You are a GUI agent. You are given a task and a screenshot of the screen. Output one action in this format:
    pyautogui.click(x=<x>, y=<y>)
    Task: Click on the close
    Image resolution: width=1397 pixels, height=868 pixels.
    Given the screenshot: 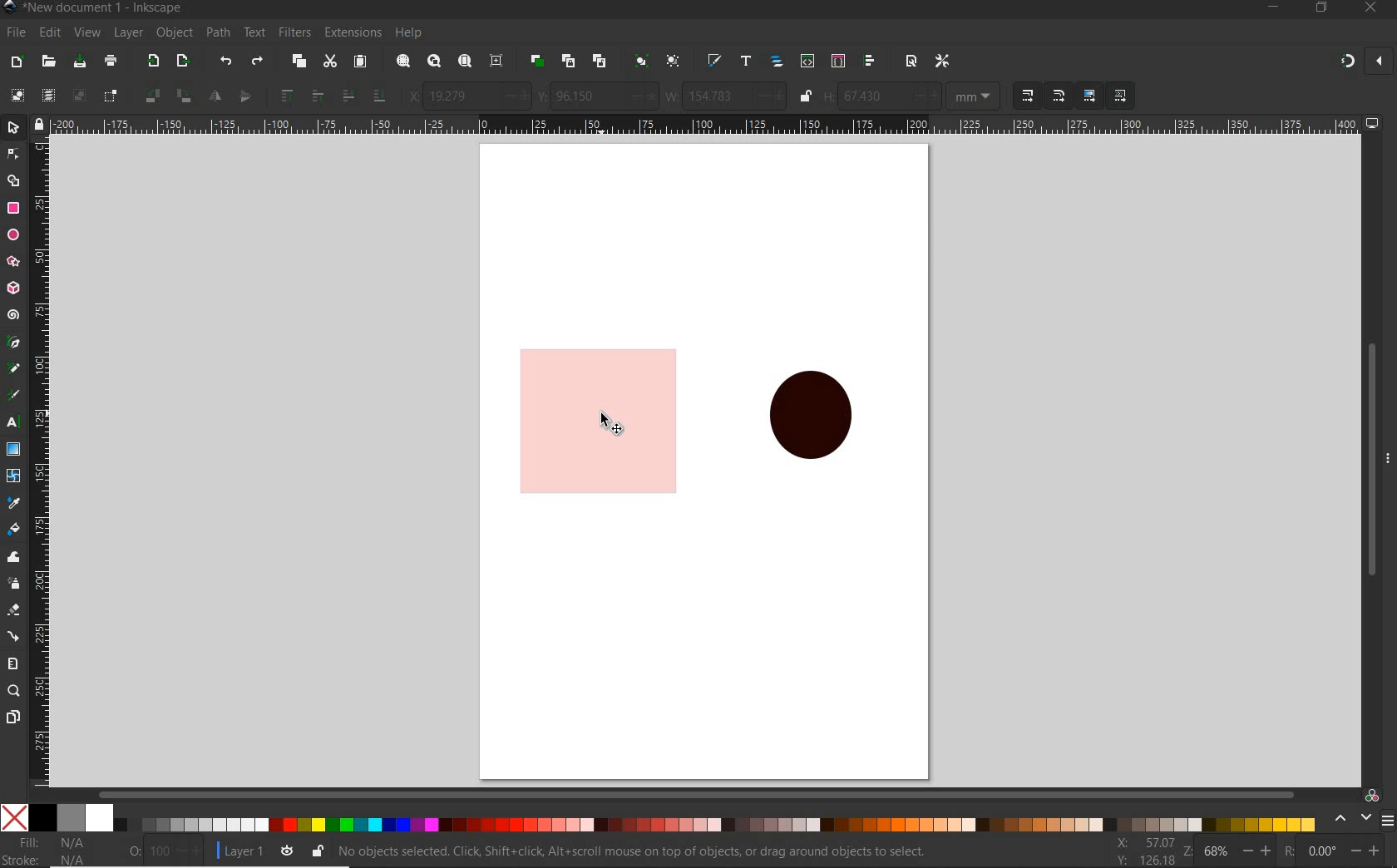 What is the action you would take?
    pyautogui.click(x=1369, y=8)
    